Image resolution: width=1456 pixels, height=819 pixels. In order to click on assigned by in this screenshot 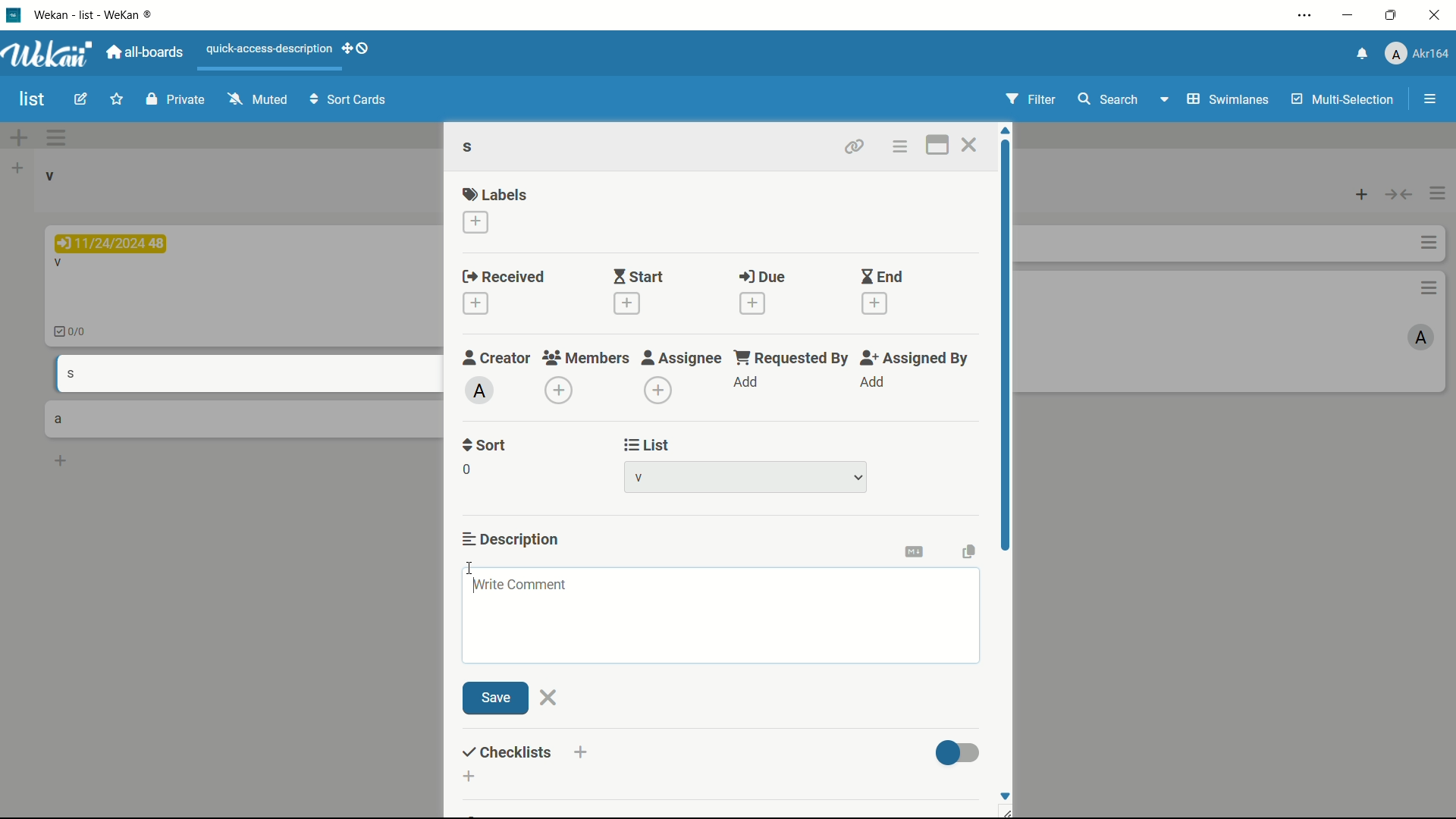, I will do `click(918, 359)`.